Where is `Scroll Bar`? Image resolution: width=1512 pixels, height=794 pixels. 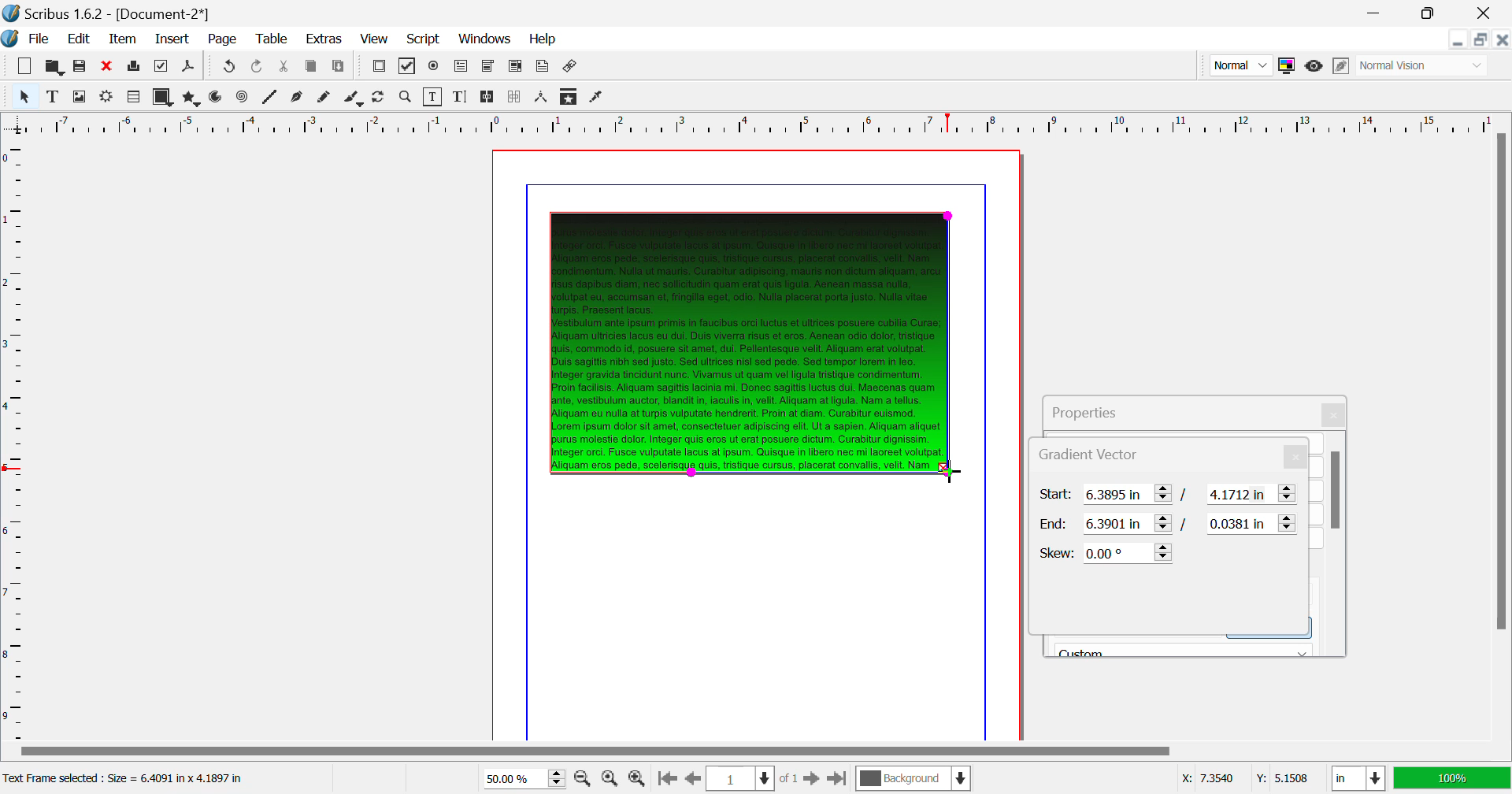
Scroll Bar is located at coordinates (1336, 544).